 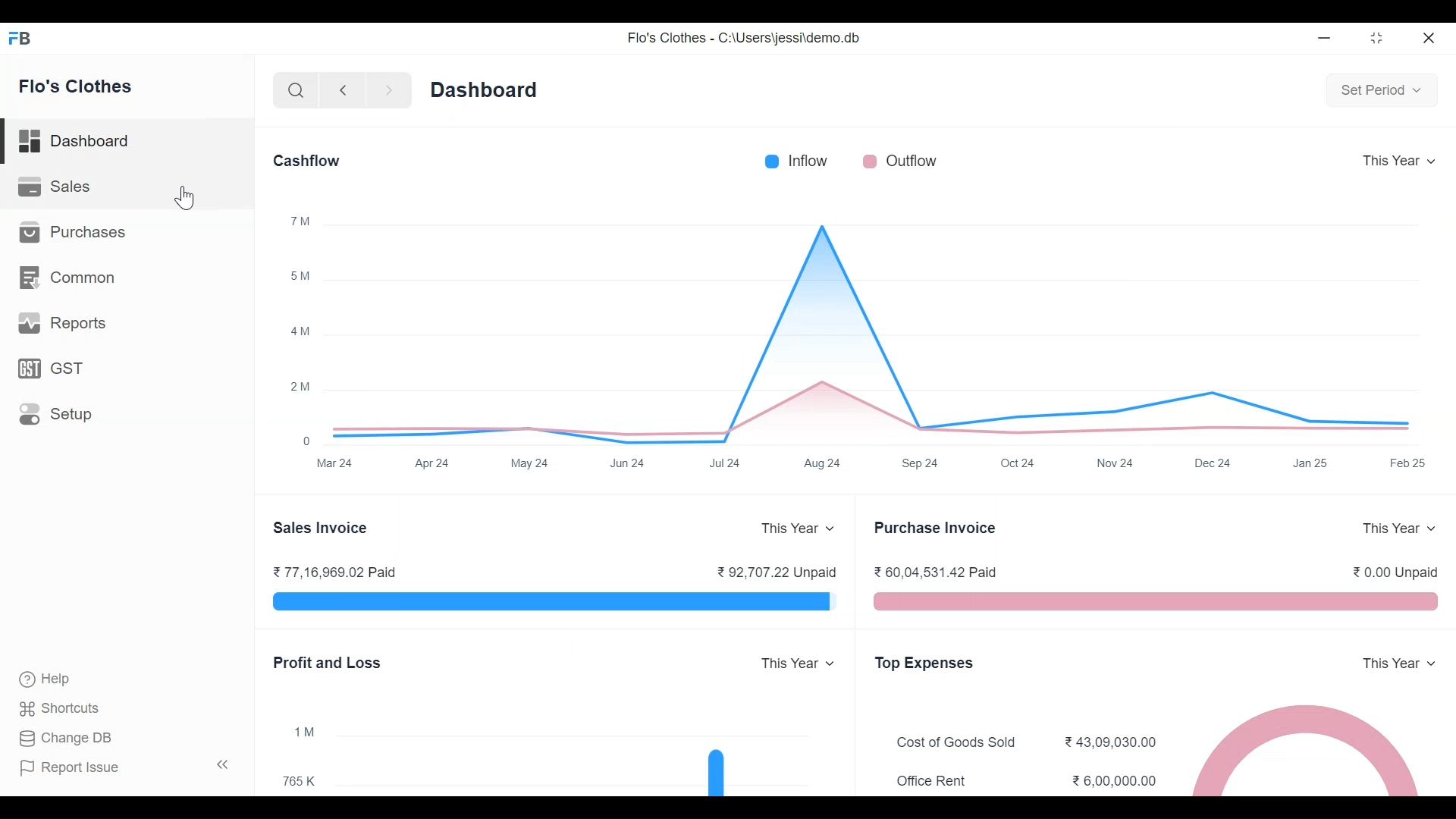 I want to click on 92,707.22 Unpaid, so click(x=776, y=573).